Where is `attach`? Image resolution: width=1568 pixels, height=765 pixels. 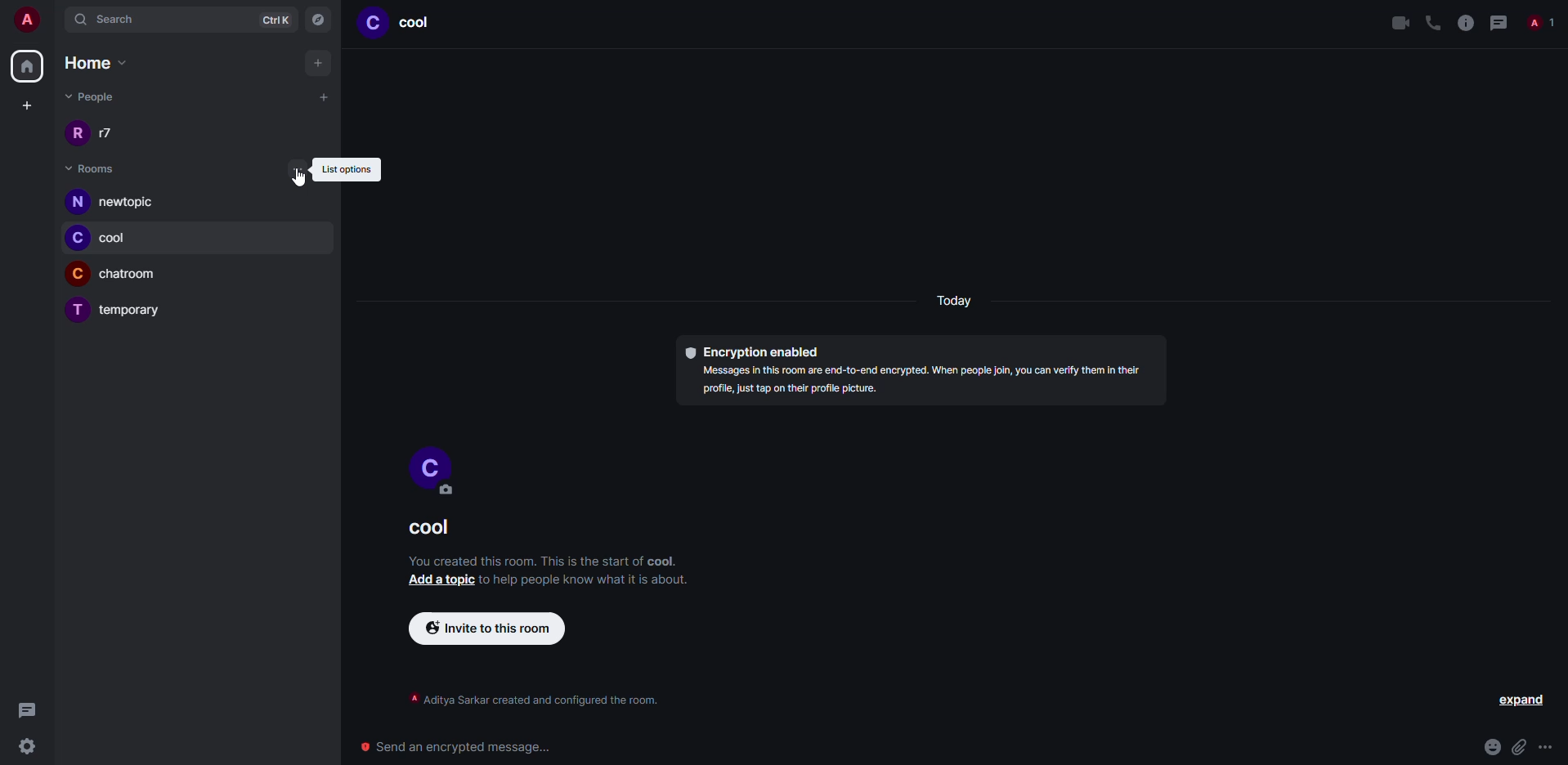 attach is located at coordinates (1520, 747).